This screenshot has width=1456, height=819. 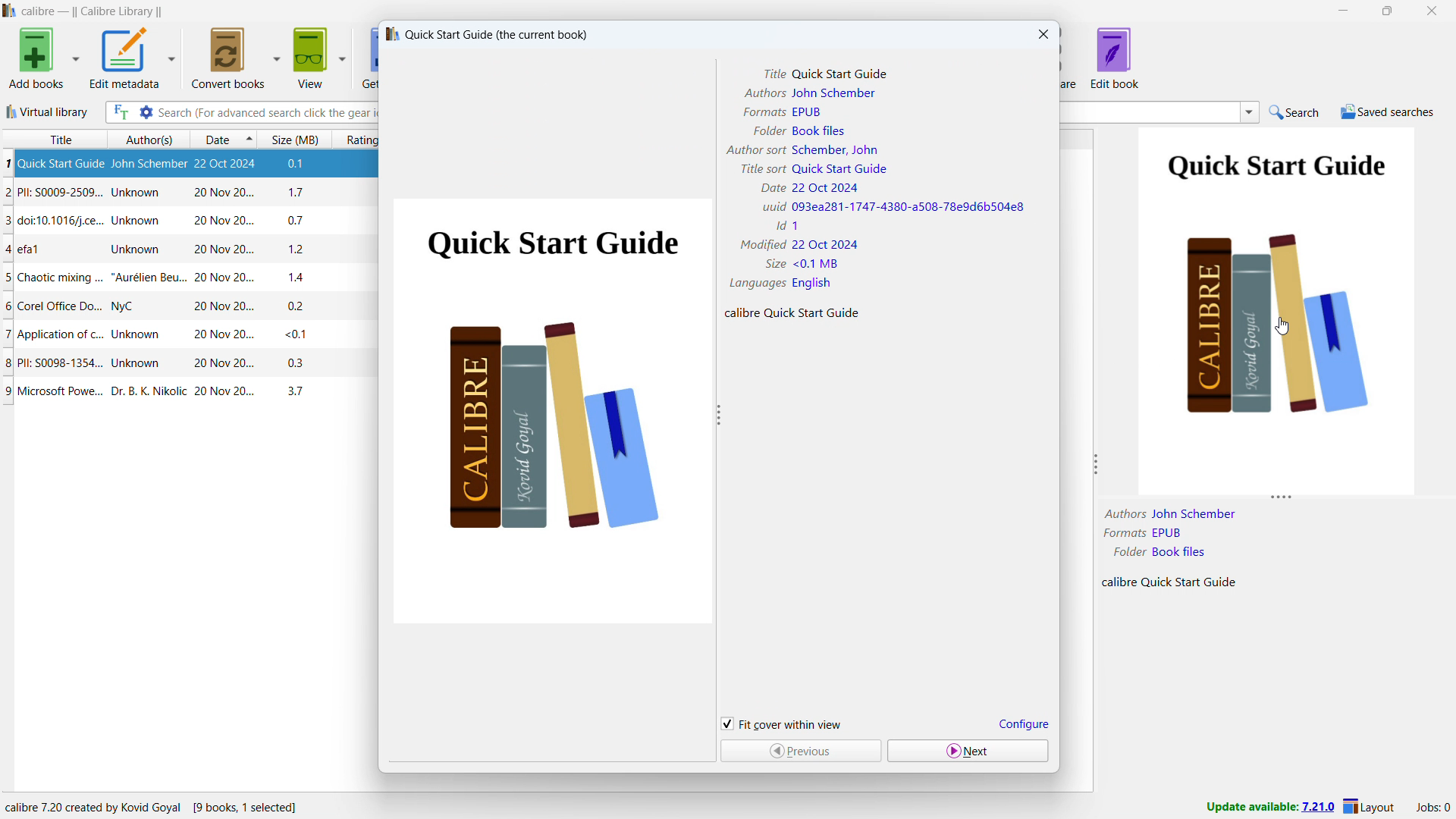 What do you see at coordinates (293, 334) in the screenshot?
I see `<0.1` at bounding box center [293, 334].